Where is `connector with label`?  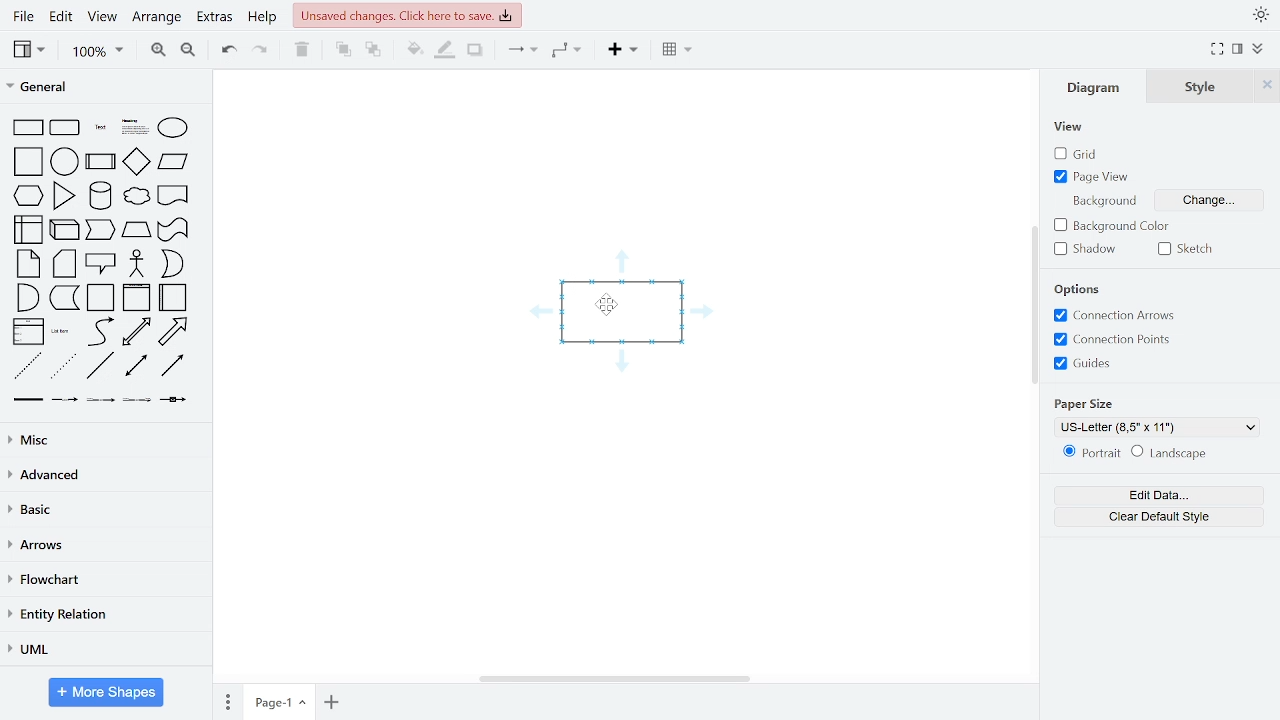 connector with label is located at coordinates (66, 399).